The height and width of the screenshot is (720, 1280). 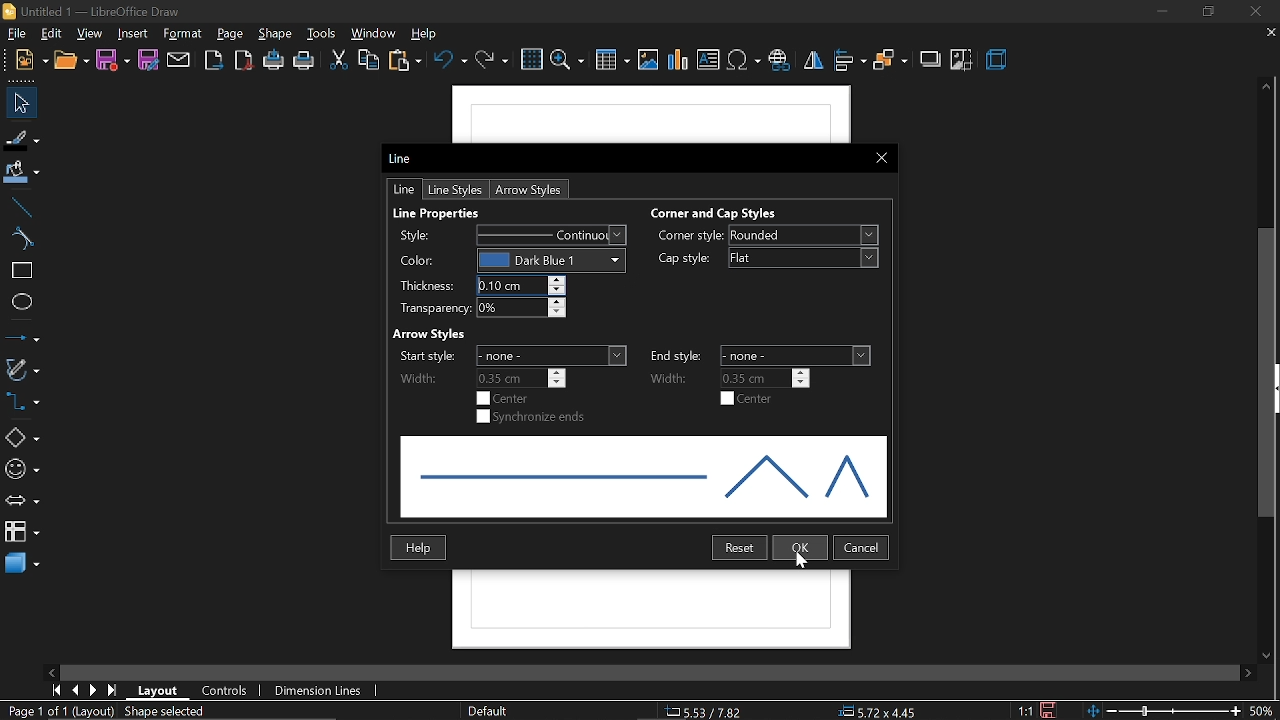 What do you see at coordinates (15, 32) in the screenshot?
I see `file` at bounding box center [15, 32].